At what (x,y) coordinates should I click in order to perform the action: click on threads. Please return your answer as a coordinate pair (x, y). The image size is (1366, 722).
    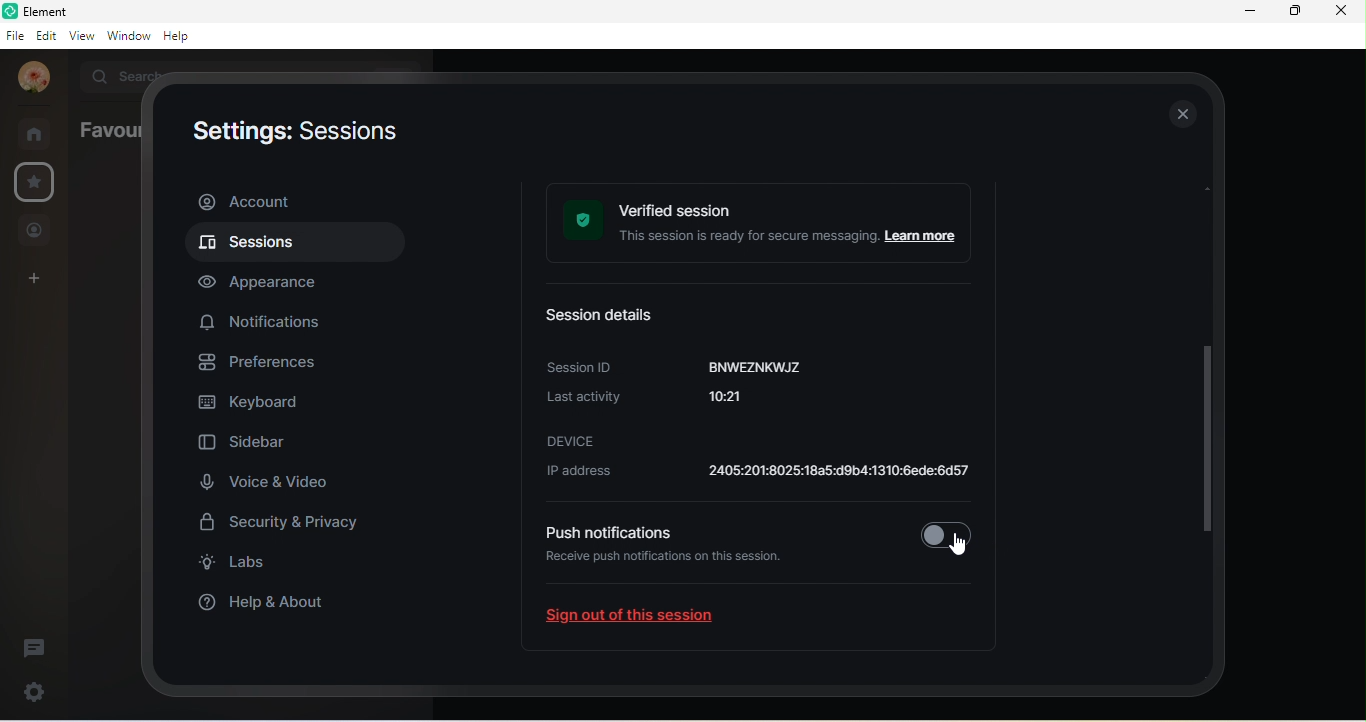
    Looking at the image, I should click on (35, 649).